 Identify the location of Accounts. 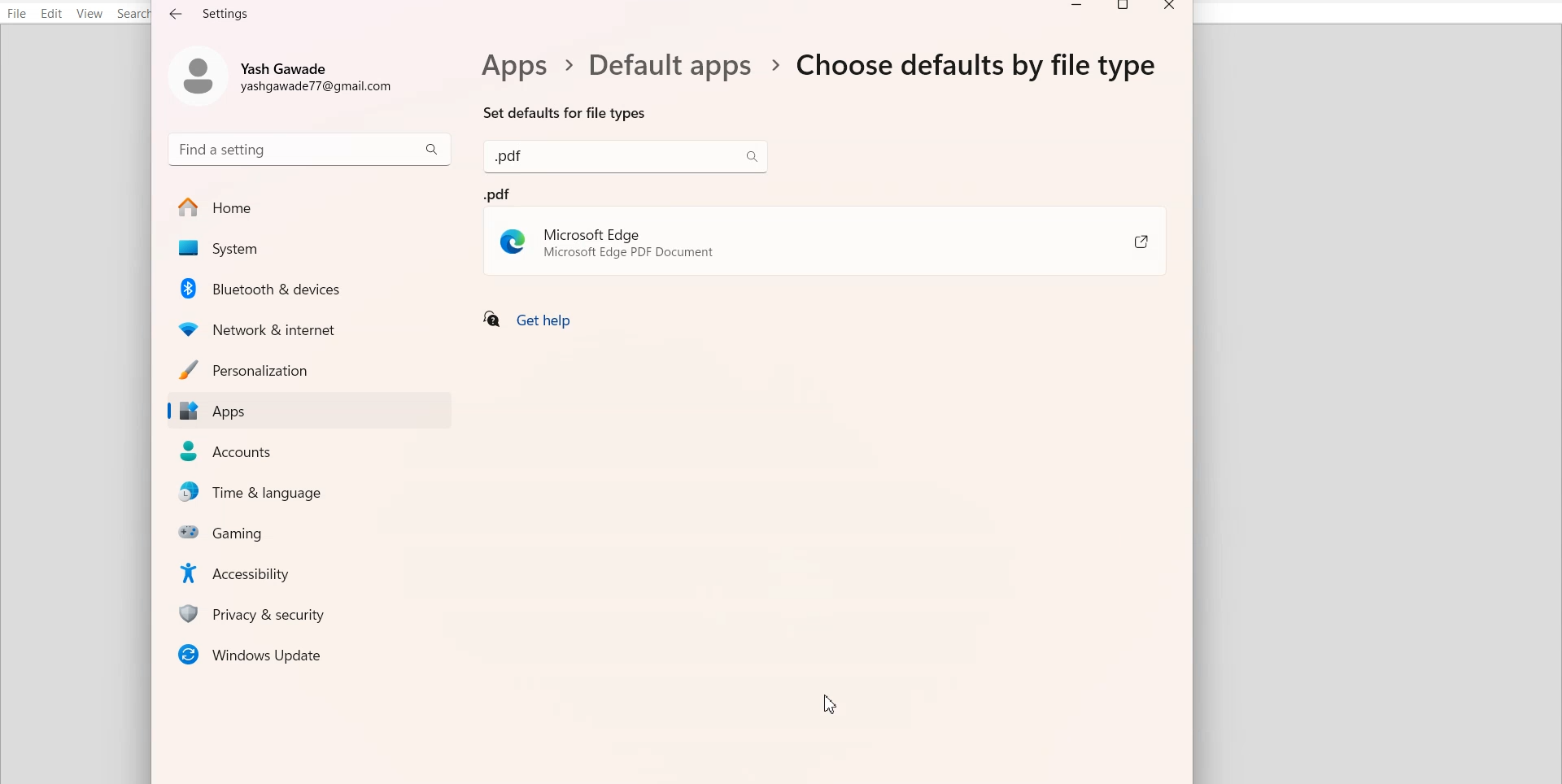
(311, 451).